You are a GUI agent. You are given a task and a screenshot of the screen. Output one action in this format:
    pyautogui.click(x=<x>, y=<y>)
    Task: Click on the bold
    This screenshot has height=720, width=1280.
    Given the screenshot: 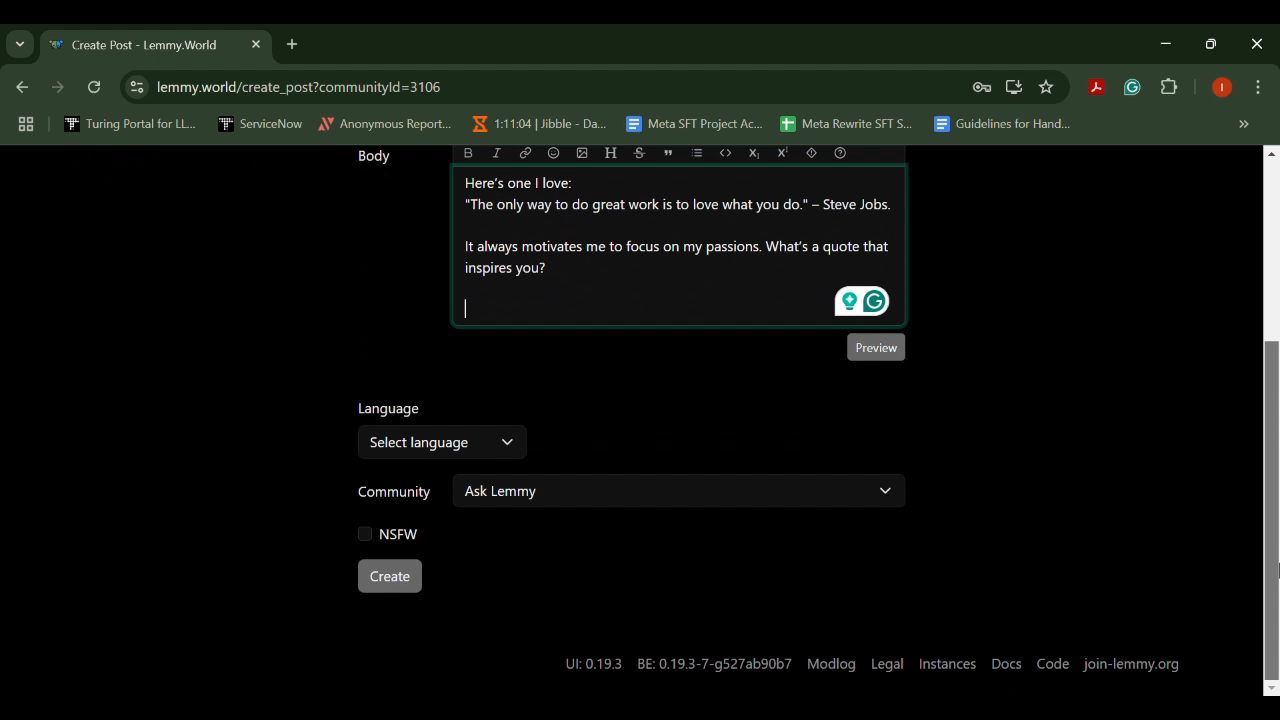 What is the action you would take?
    pyautogui.click(x=469, y=153)
    